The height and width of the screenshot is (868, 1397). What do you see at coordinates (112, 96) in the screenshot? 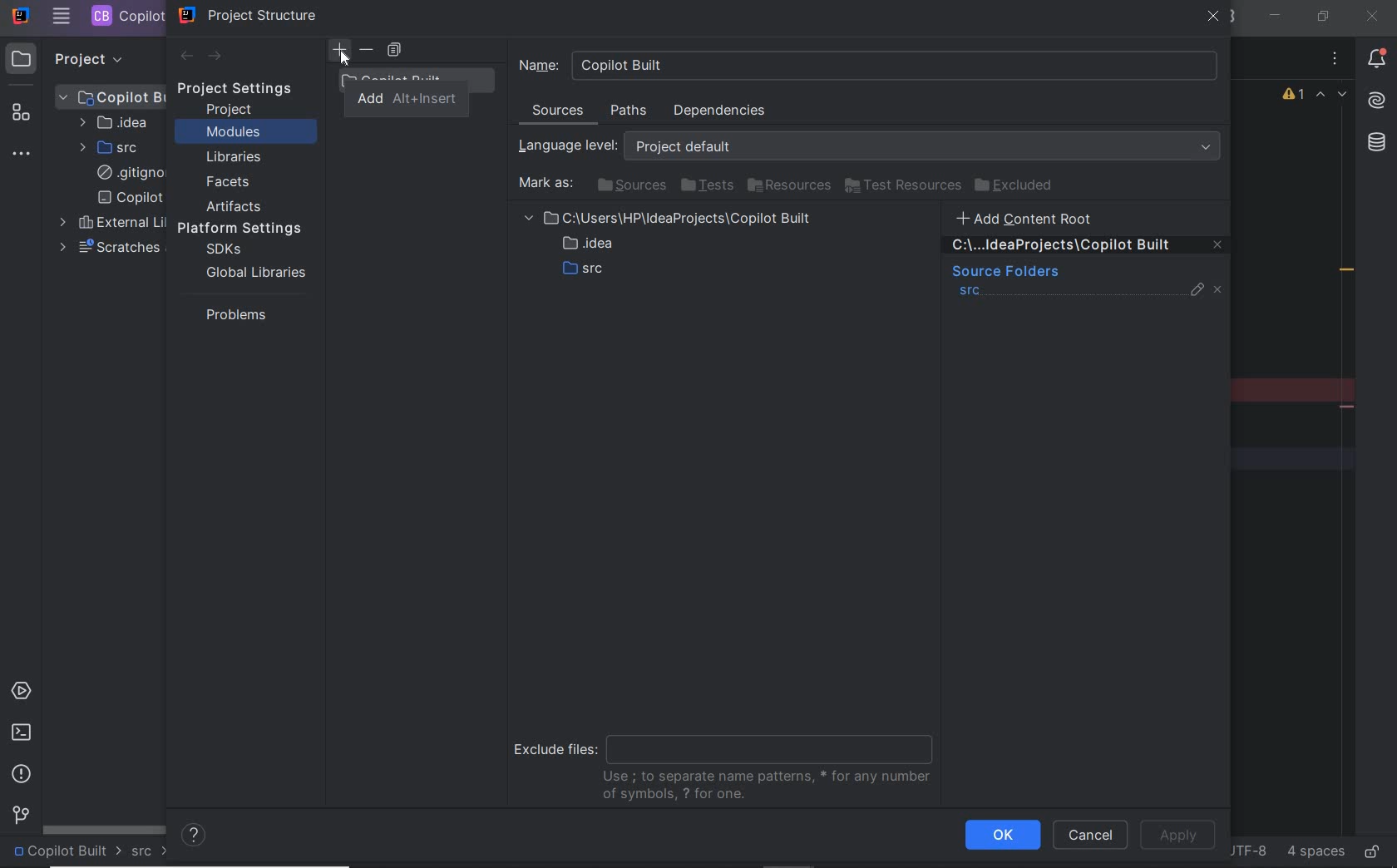
I see `PROJECT FILE ANME` at bounding box center [112, 96].